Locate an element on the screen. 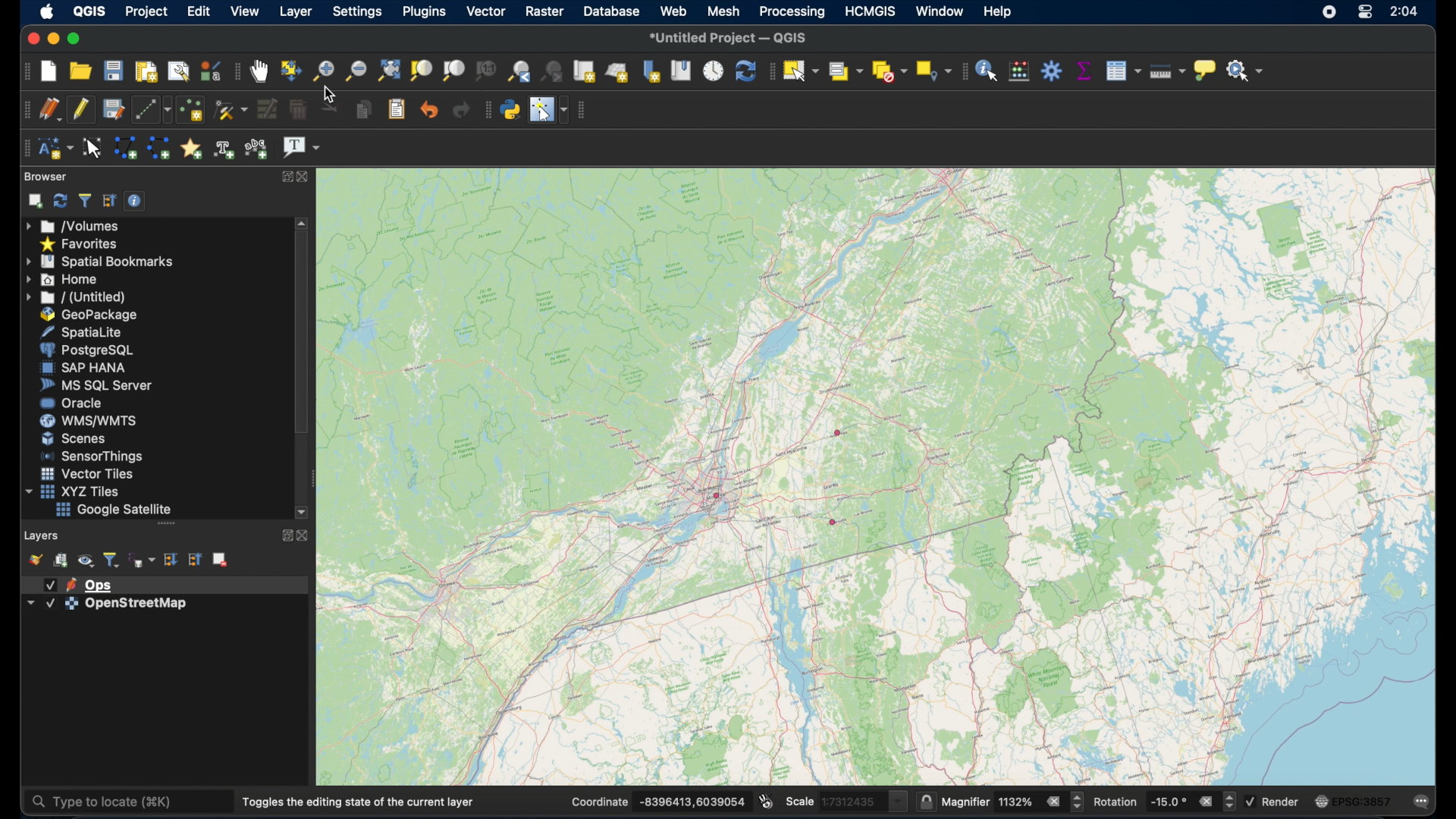  new annotation layer is located at coordinates (58, 147).